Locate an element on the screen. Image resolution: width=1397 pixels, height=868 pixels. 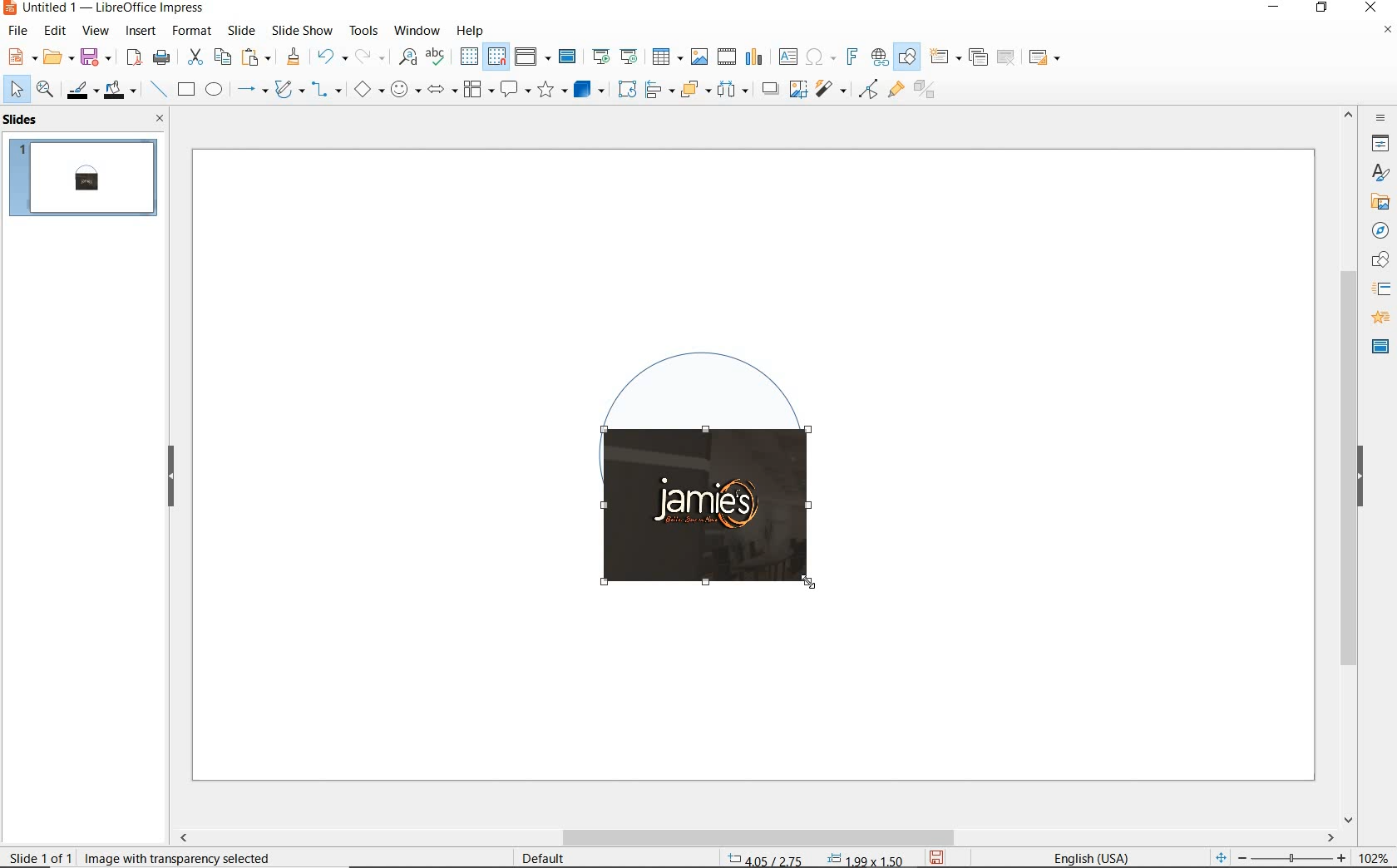
new slide is located at coordinates (945, 57).